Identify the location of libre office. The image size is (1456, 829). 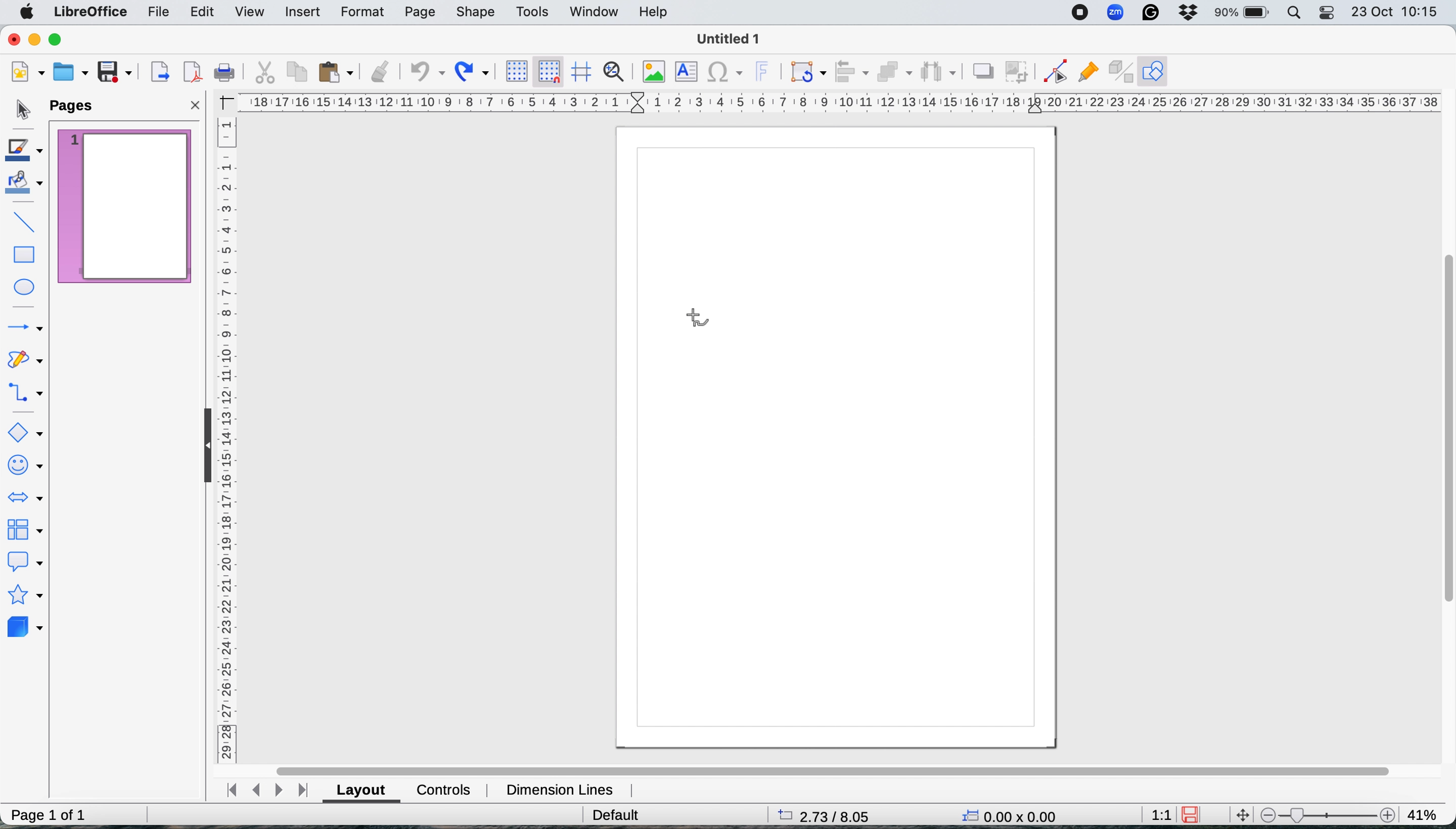
(92, 13).